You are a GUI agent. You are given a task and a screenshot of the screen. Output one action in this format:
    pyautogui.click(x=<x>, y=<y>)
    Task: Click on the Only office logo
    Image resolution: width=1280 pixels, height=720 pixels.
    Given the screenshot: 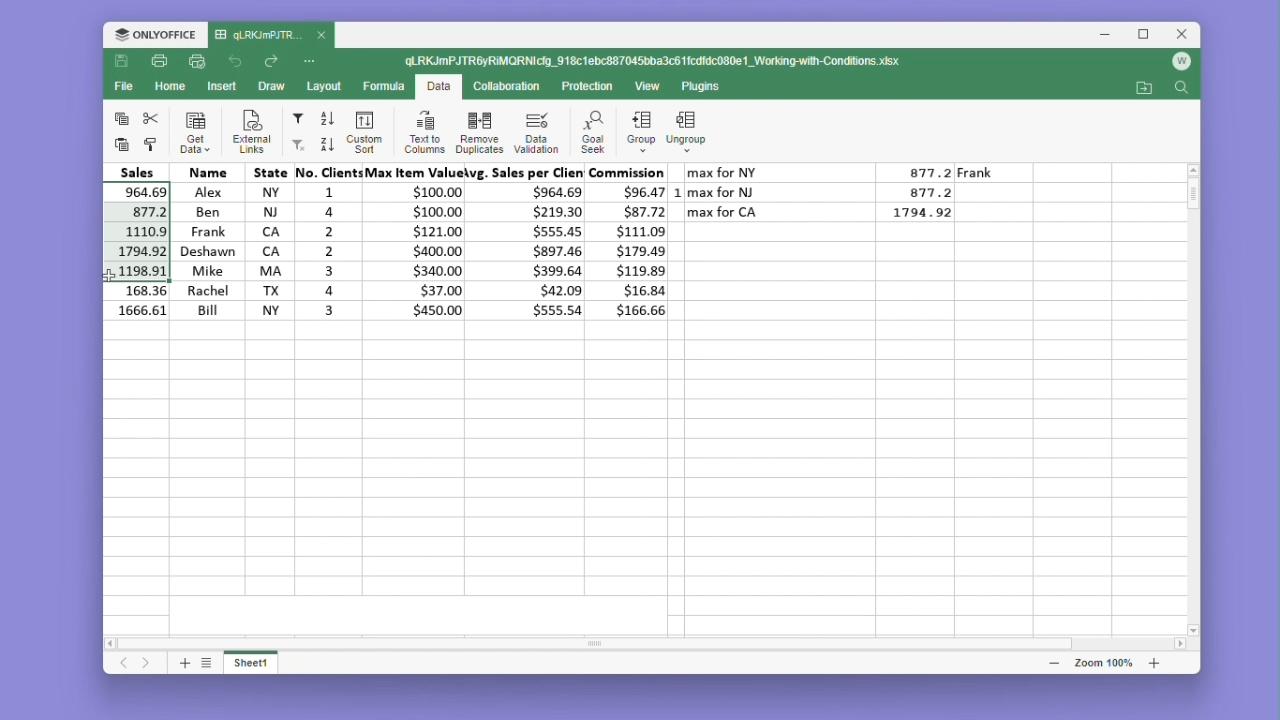 What is the action you would take?
    pyautogui.click(x=155, y=36)
    